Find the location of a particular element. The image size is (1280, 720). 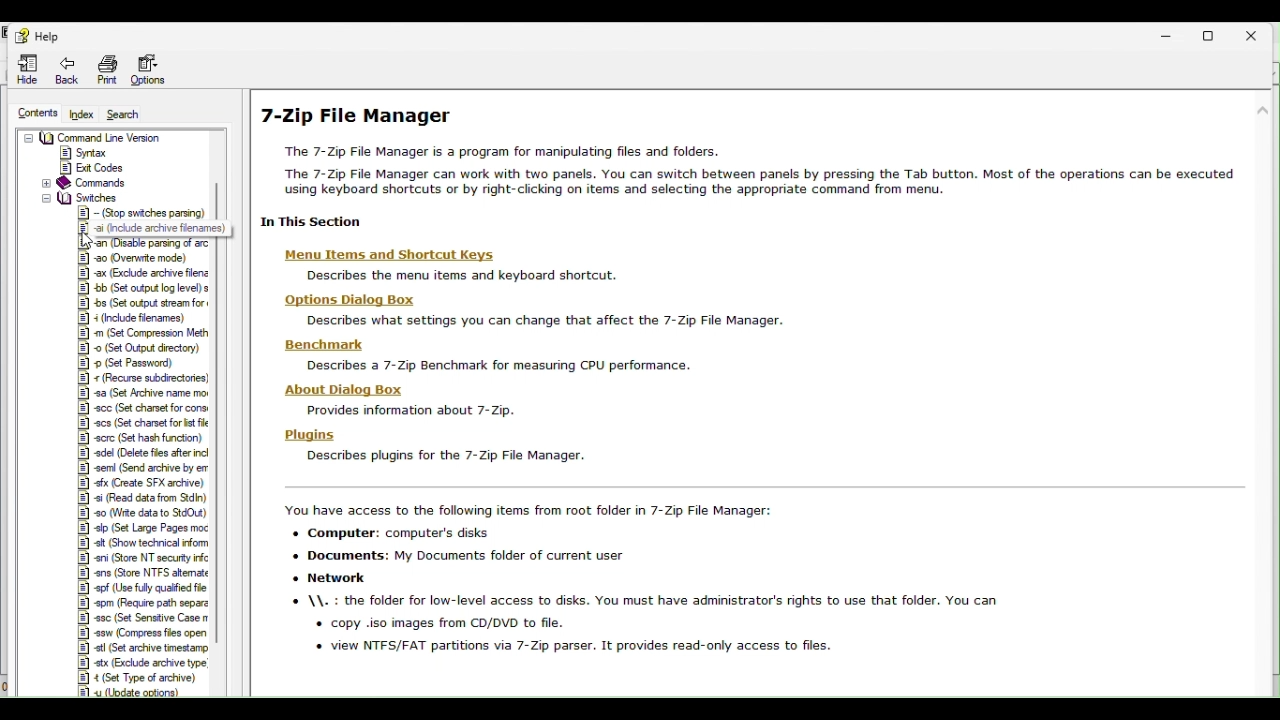

X (Exclude archve feng | is located at coordinates (150, 272).